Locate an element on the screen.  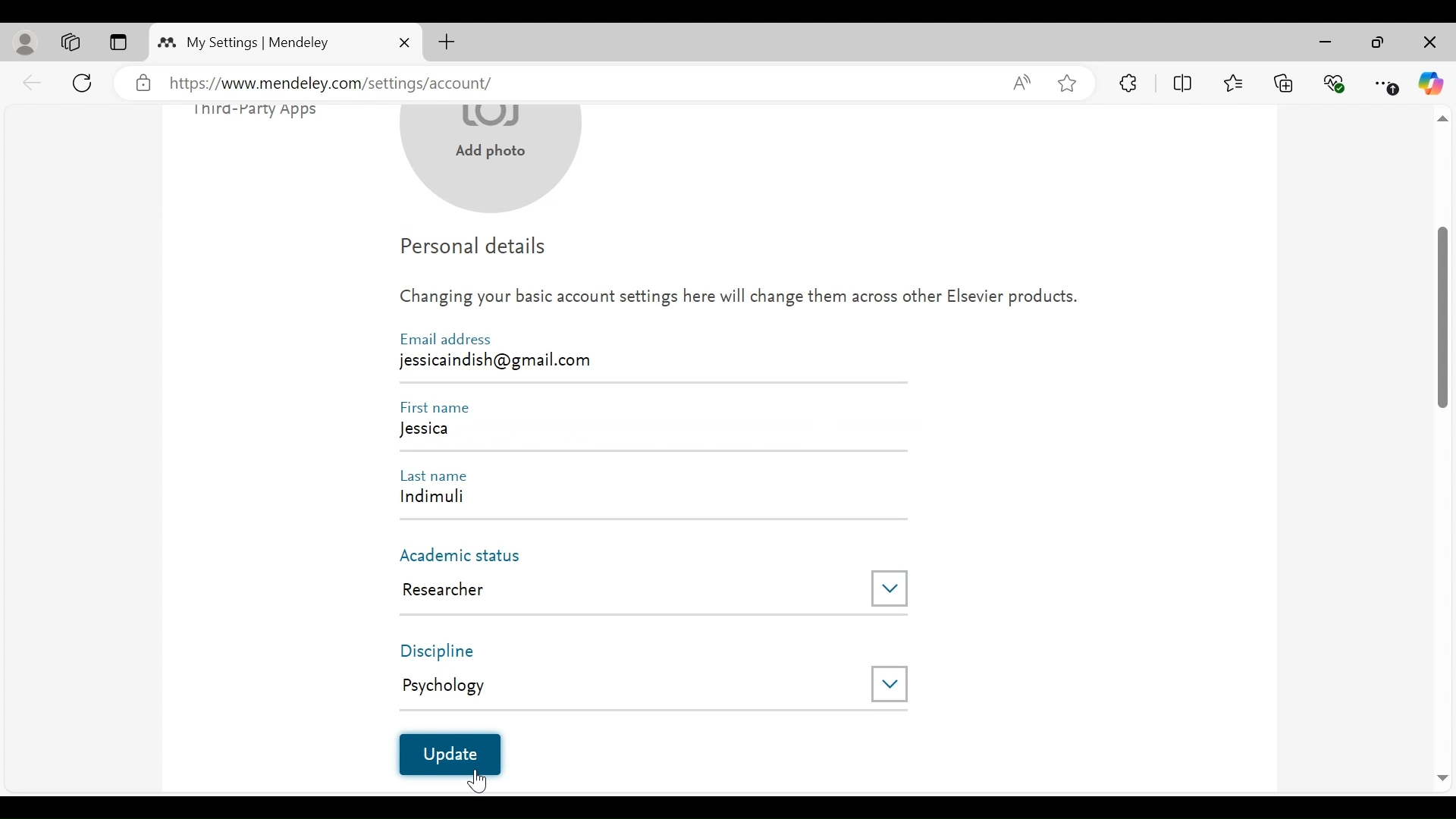
Workspaces is located at coordinates (71, 42).